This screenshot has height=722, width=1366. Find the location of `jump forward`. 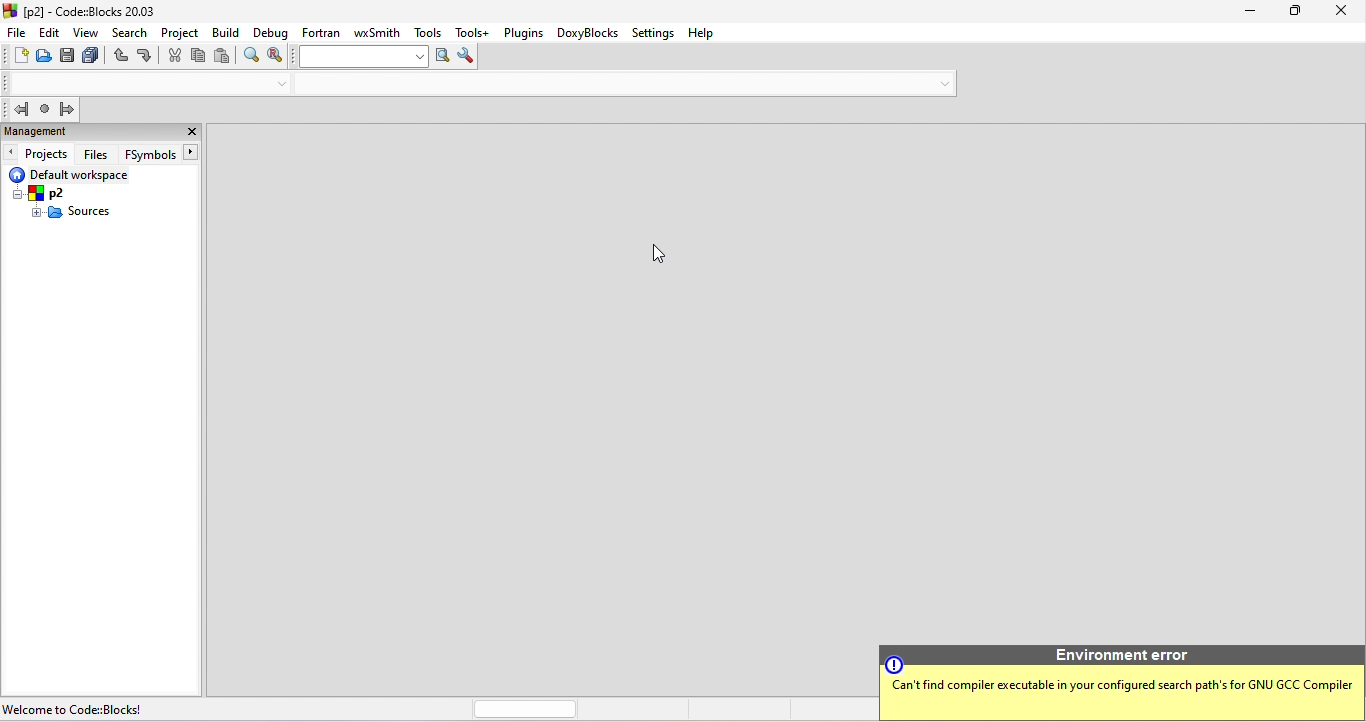

jump forward is located at coordinates (71, 107).